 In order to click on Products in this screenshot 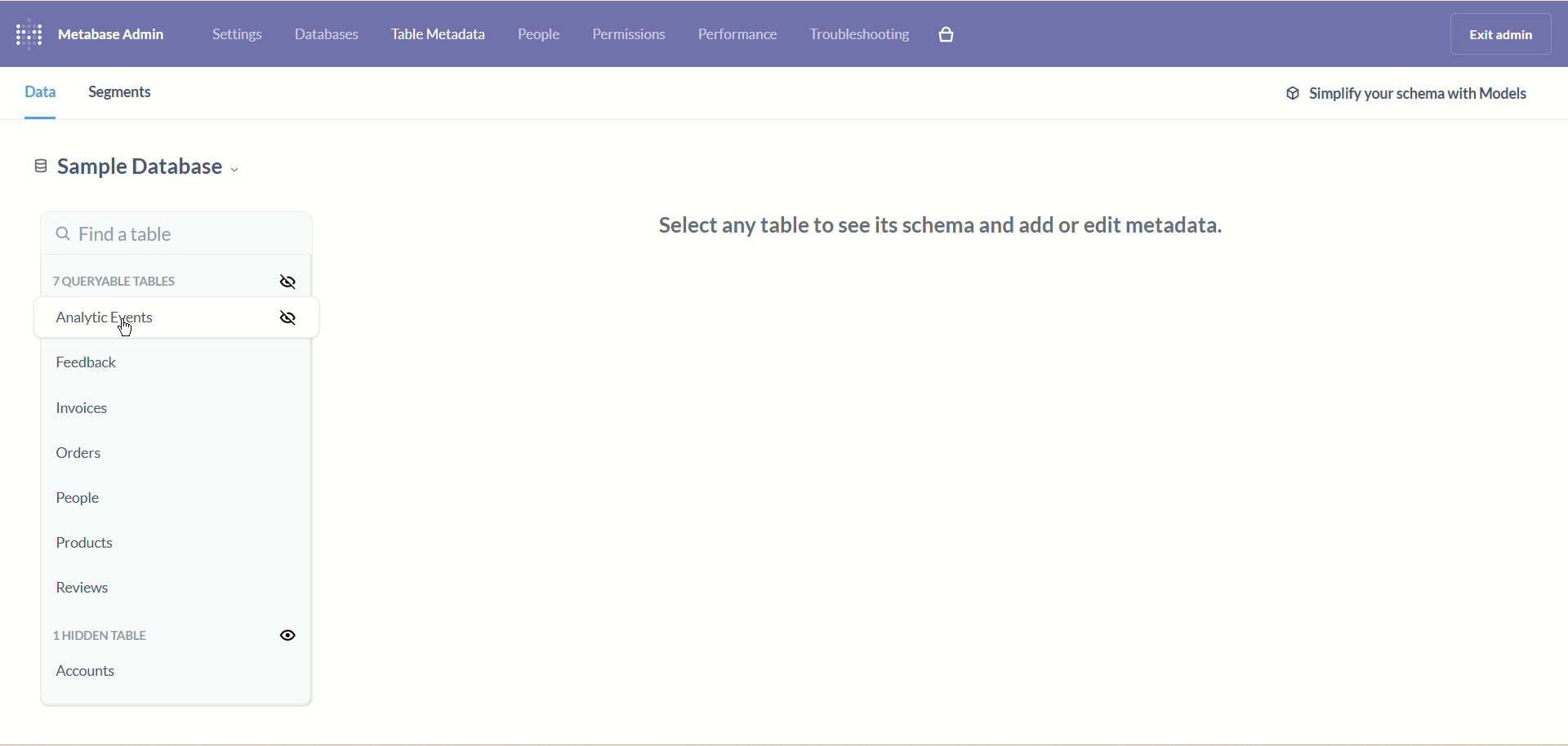, I will do `click(105, 543)`.